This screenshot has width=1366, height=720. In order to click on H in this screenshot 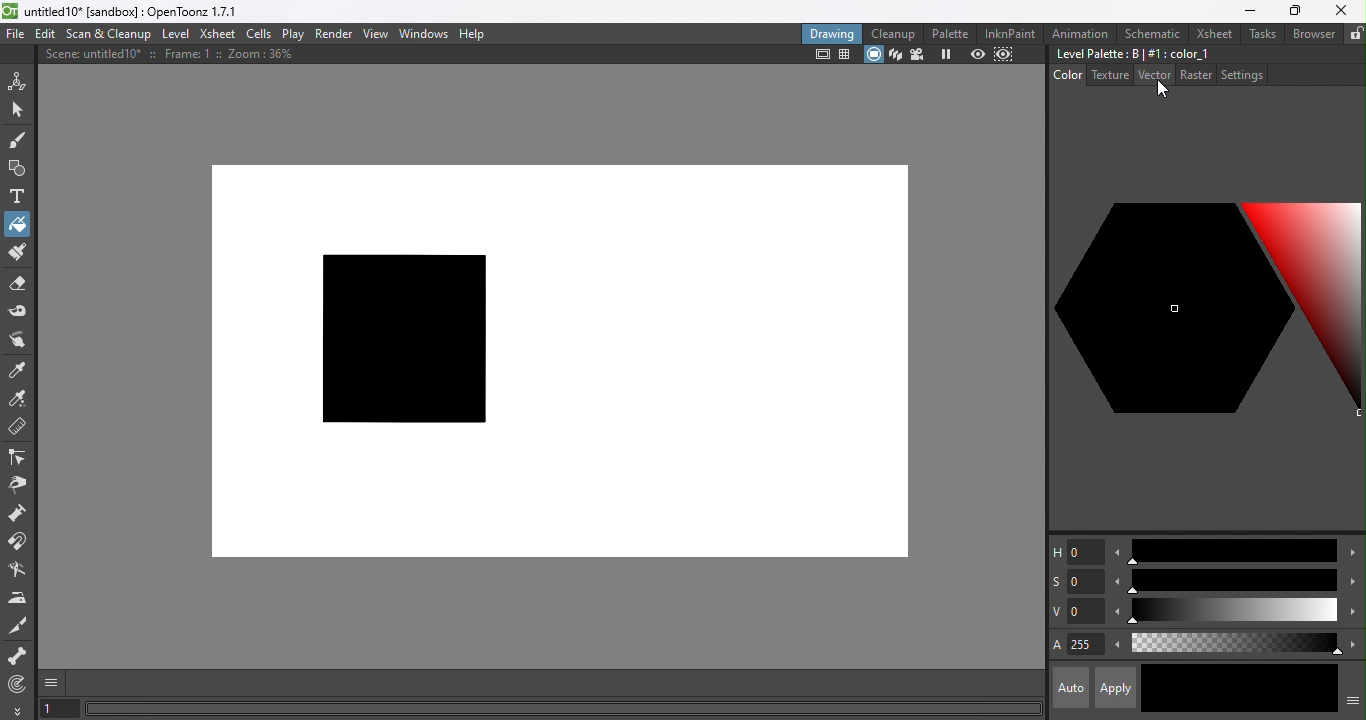, I will do `click(1076, 551)`.